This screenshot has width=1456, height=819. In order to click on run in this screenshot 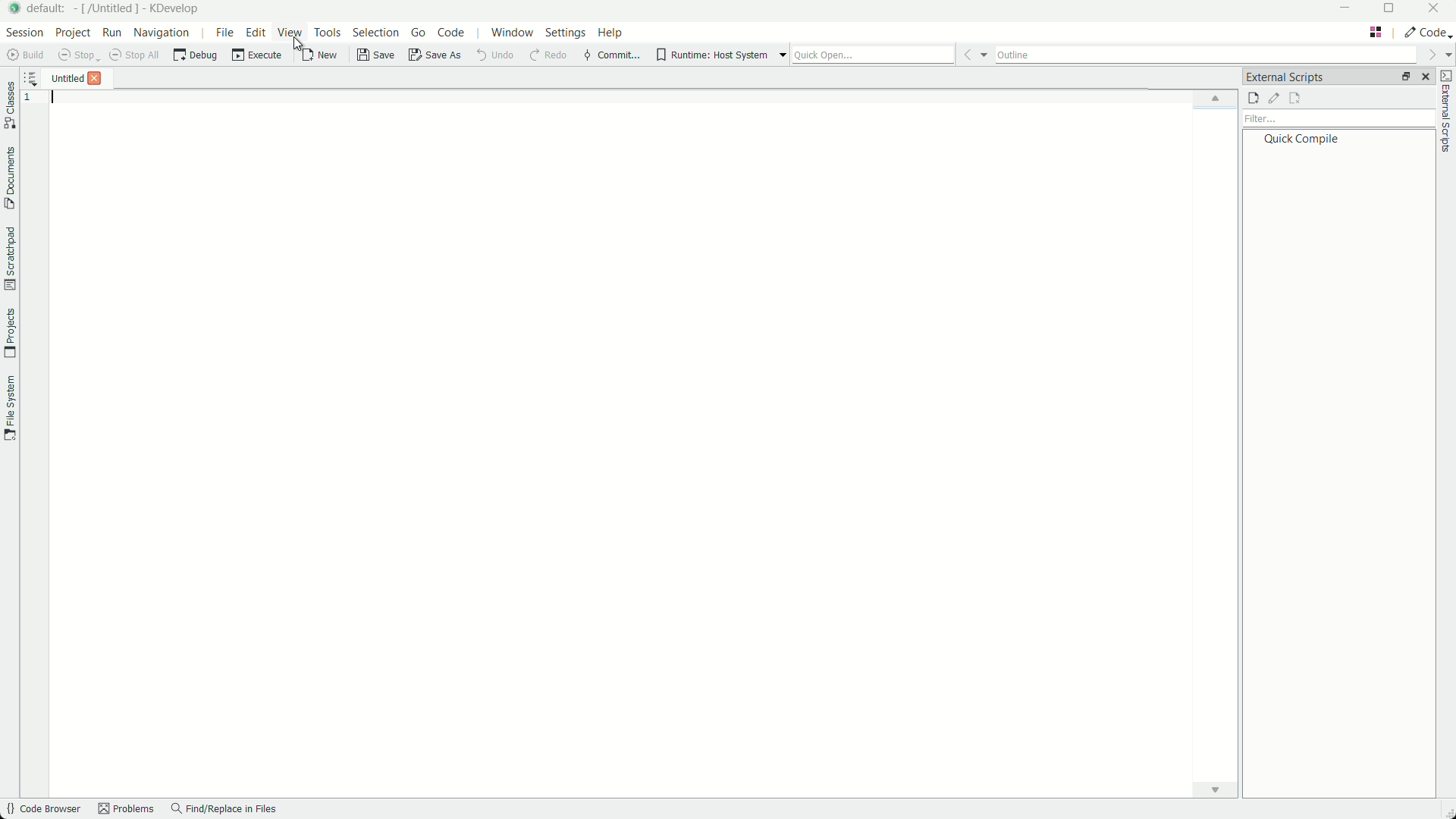, I will do `click(110, 35)`.